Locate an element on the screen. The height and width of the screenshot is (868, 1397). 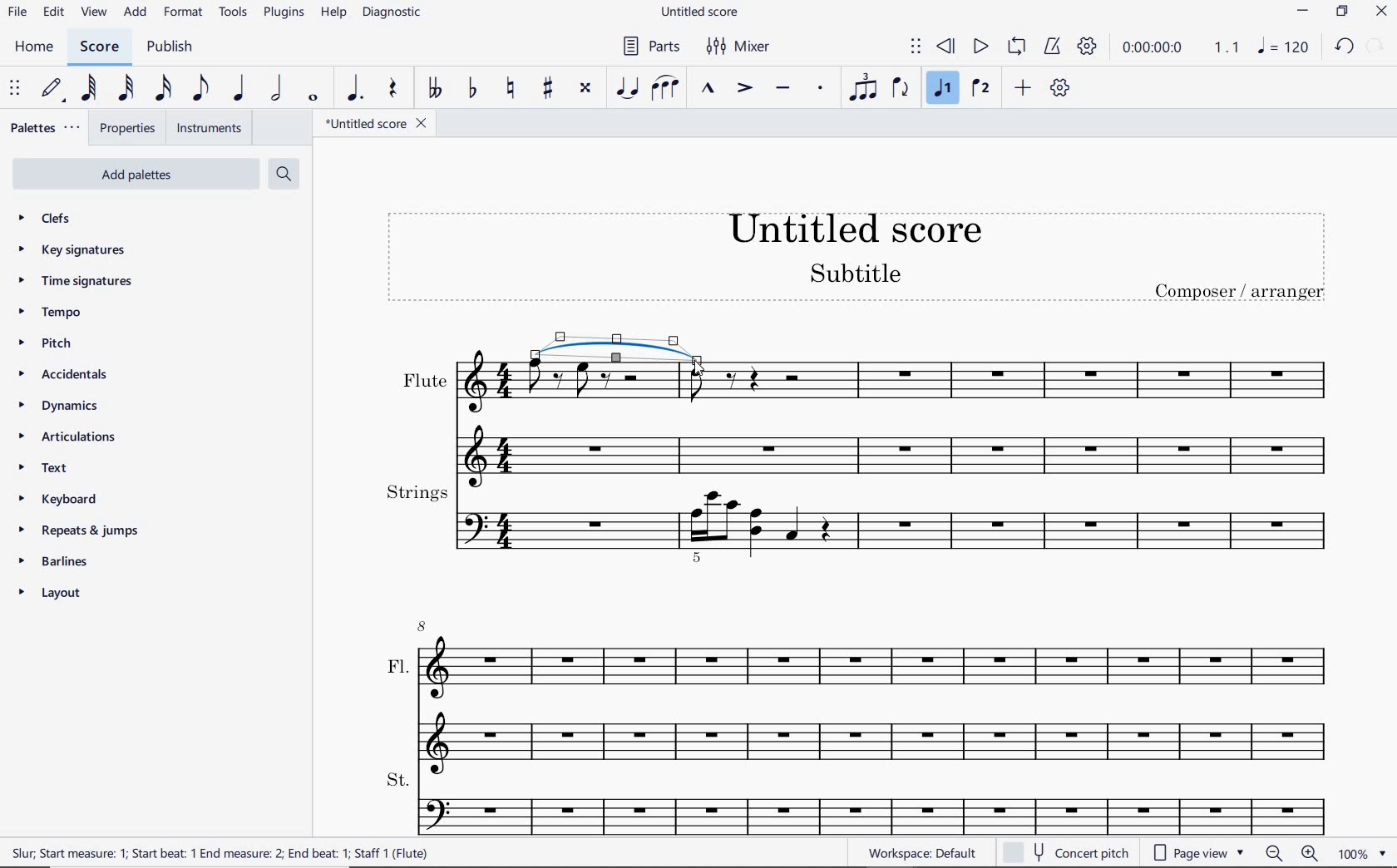
VOICE 1 is located at coordinates (944, 91).